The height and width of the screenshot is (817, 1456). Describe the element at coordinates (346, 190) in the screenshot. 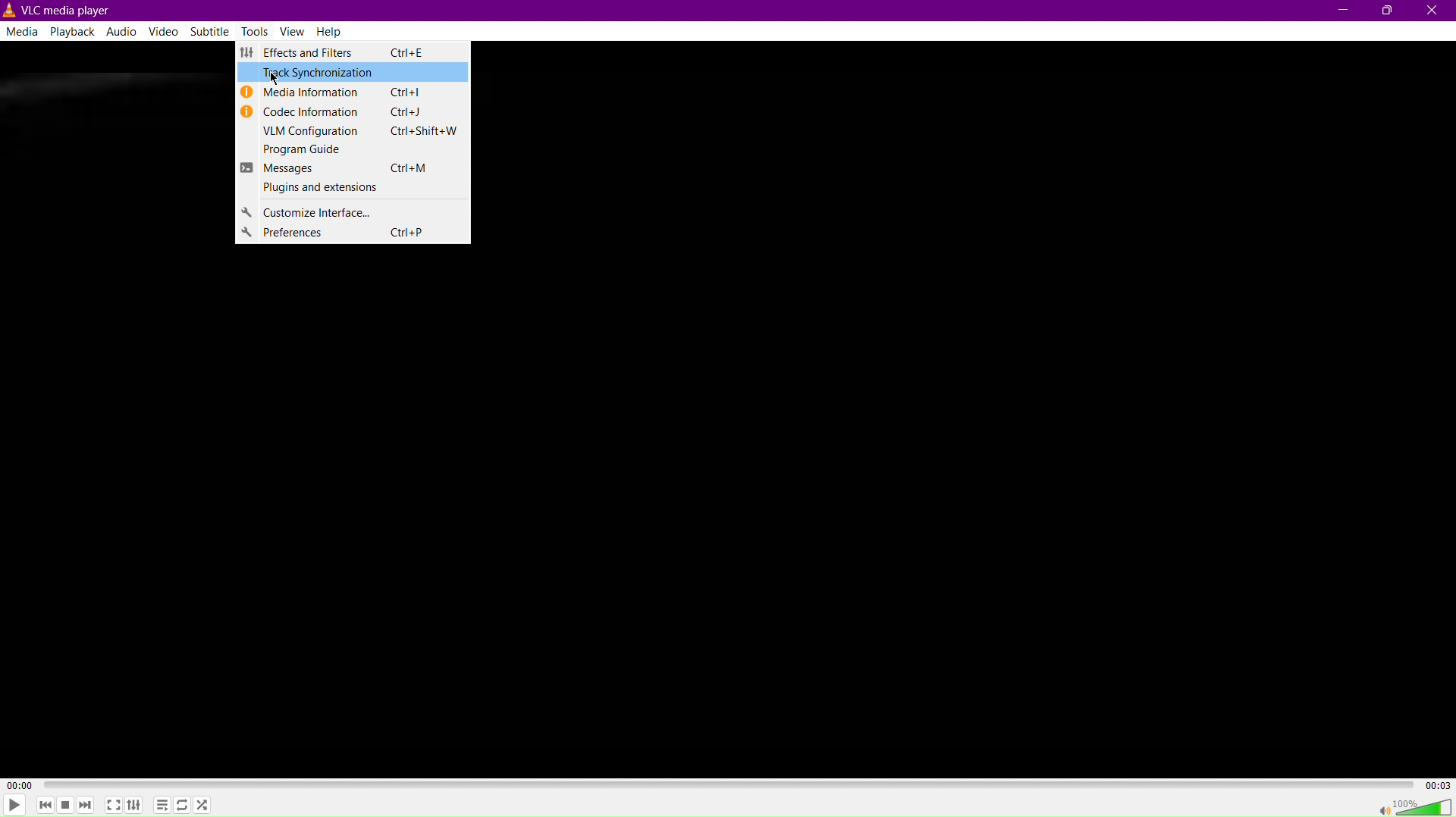

I see `Plugins and extensions` at that location.